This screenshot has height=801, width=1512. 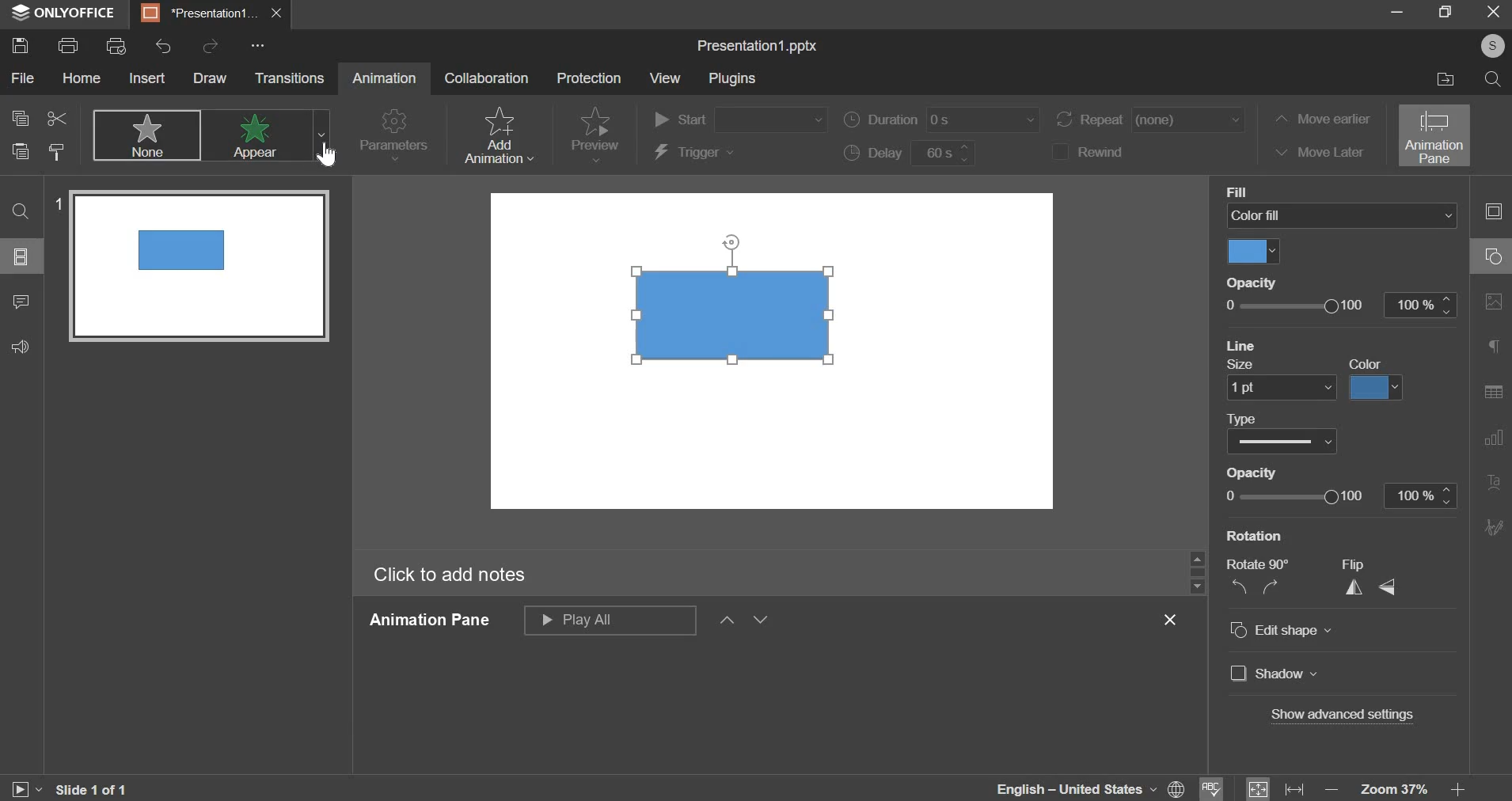 I want to click on rotate anticlockwise, so click(x=1236, y=590).